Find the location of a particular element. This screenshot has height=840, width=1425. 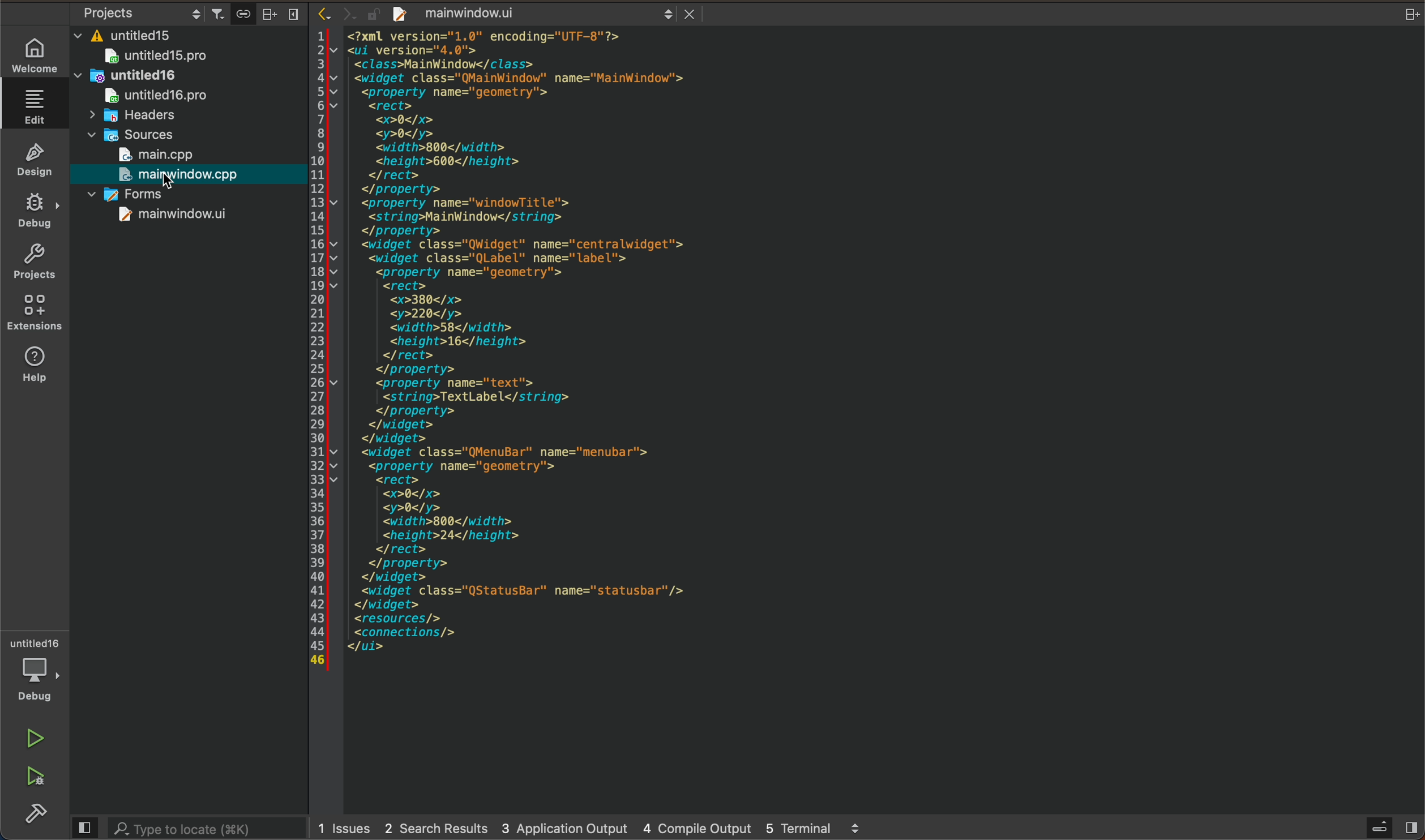

Back is located at coordinates (323, 12).